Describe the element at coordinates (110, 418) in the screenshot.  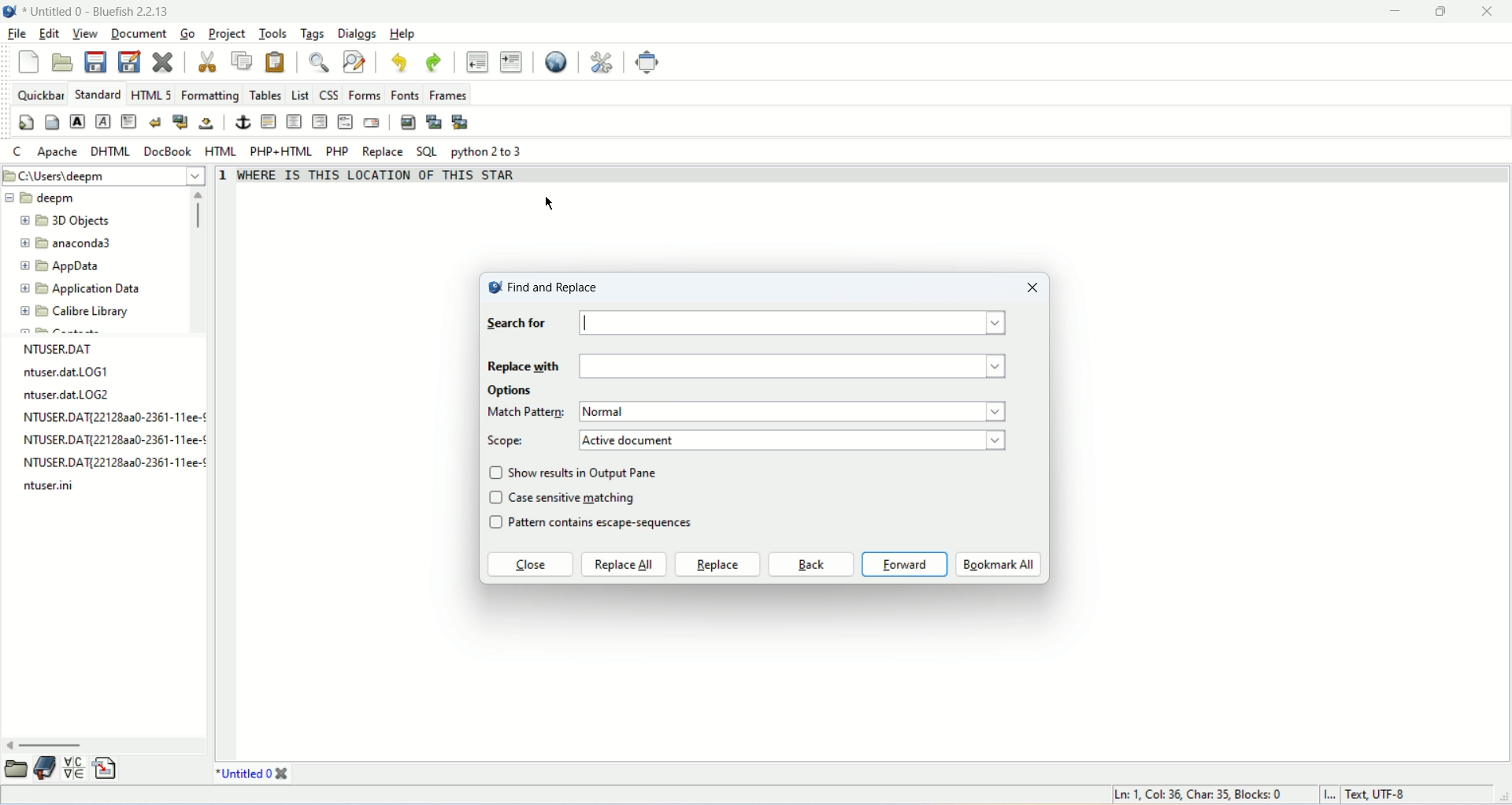
I see `file name` at that location.